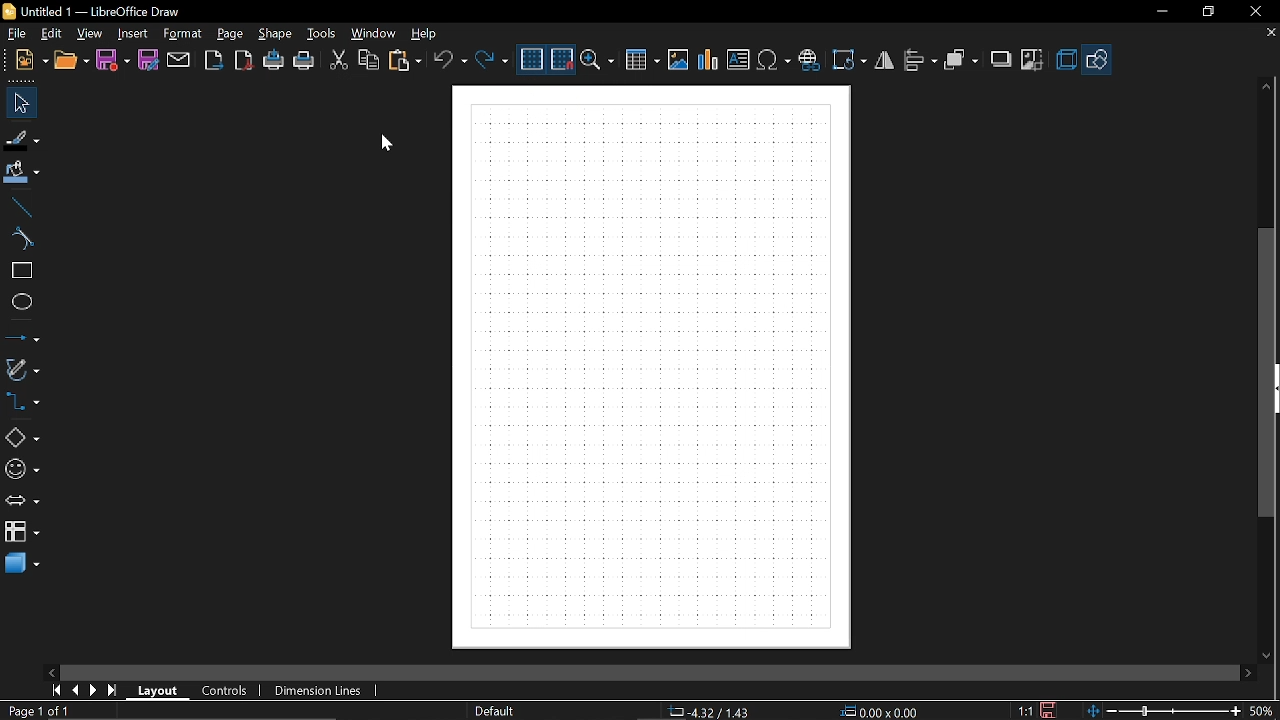  What do you see at coordinates (214, 60) in the screenshot?
I see `export` at bounding box center [214, 60].